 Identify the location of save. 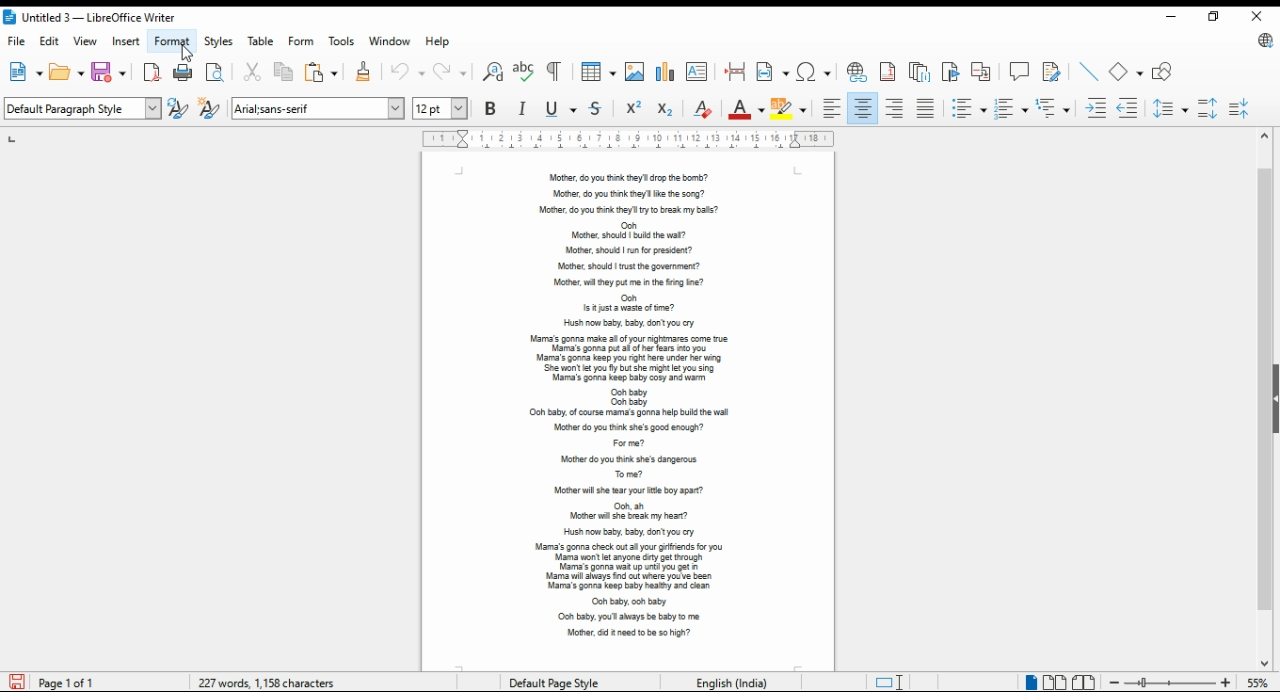
(110, 71).